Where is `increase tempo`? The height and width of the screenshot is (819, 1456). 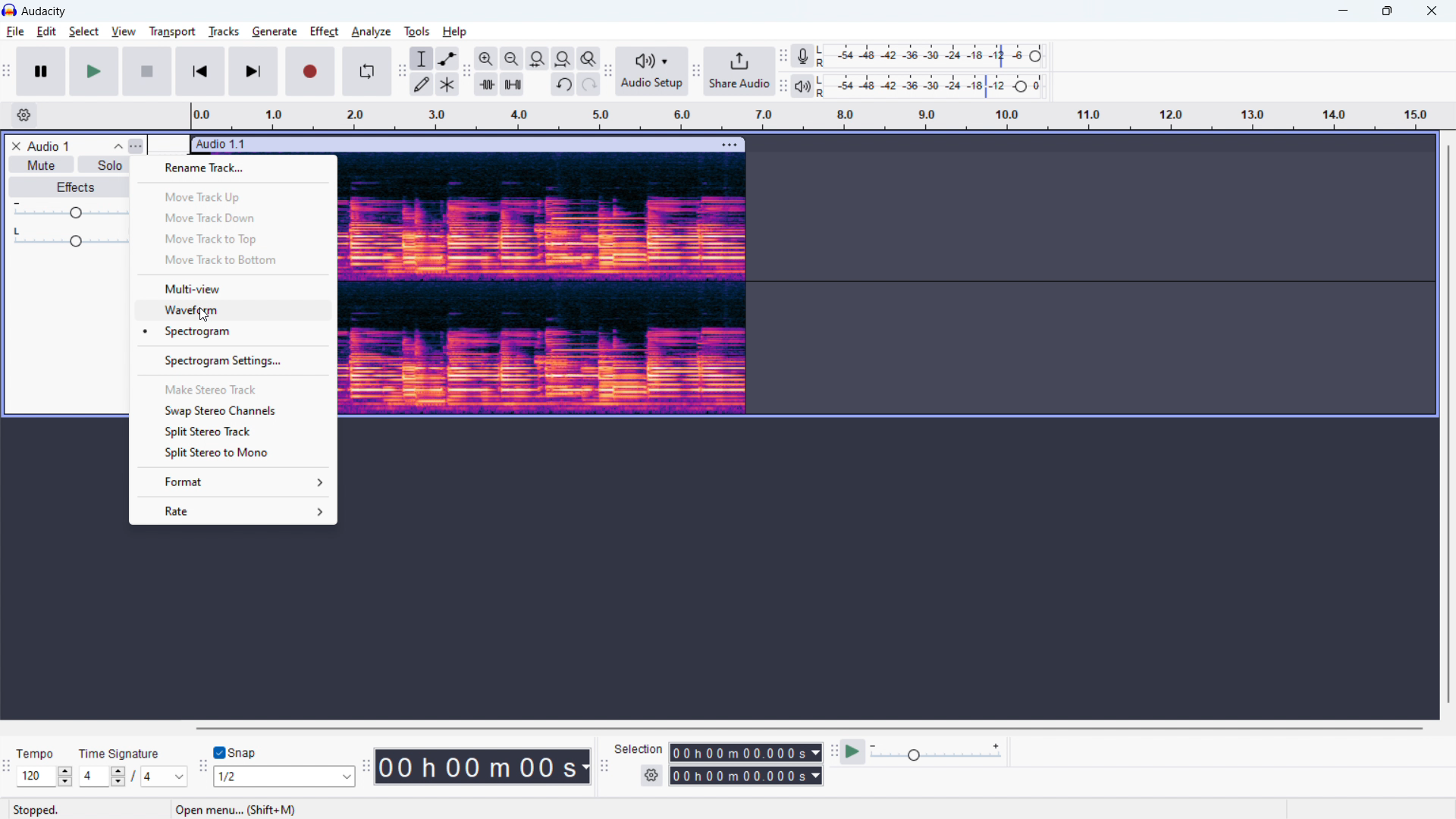
increase tempo is located at coordinates (65, 770).